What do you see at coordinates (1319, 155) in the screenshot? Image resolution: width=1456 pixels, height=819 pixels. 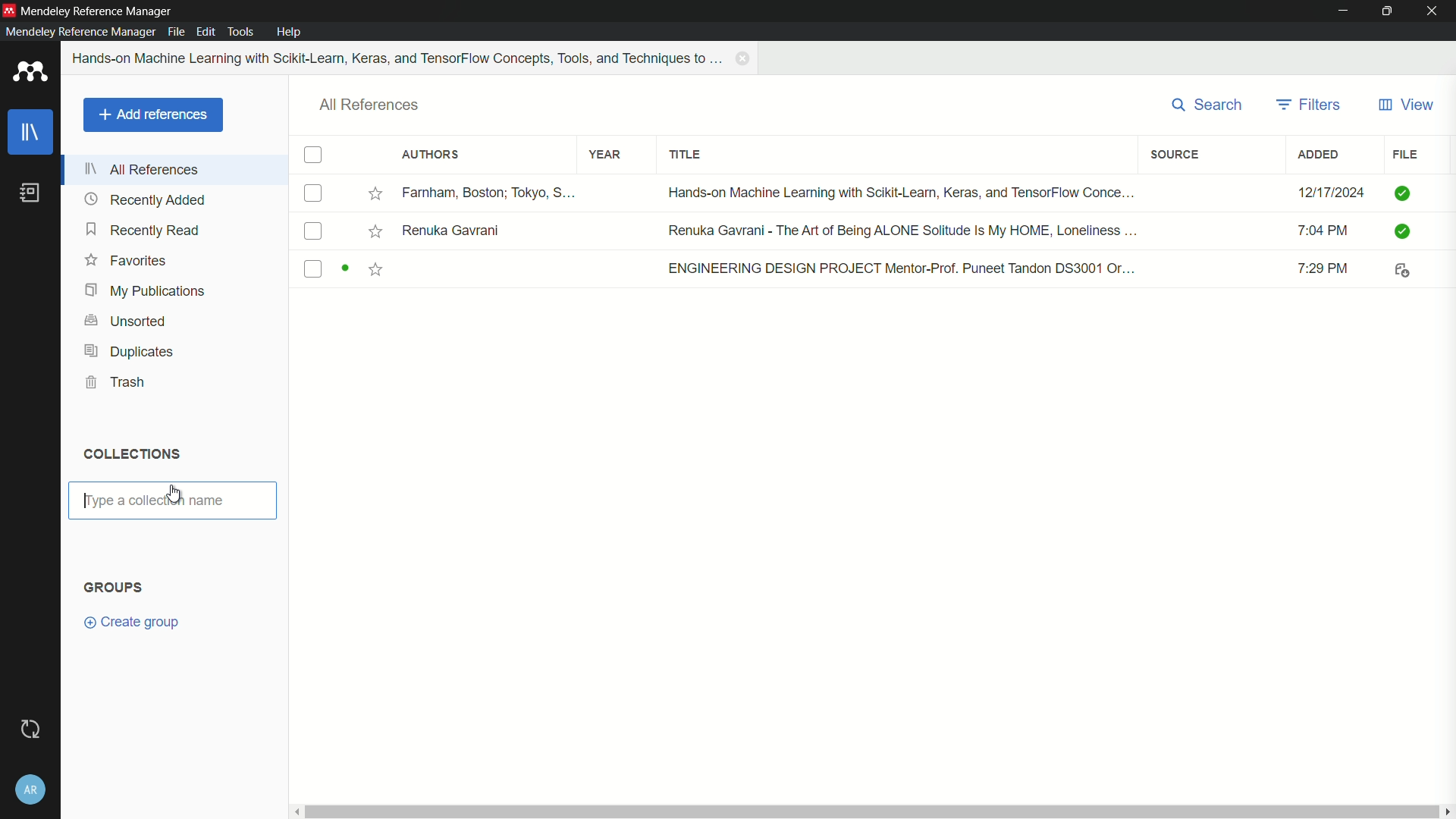 I see `added` at bounding box center [1319, 155].